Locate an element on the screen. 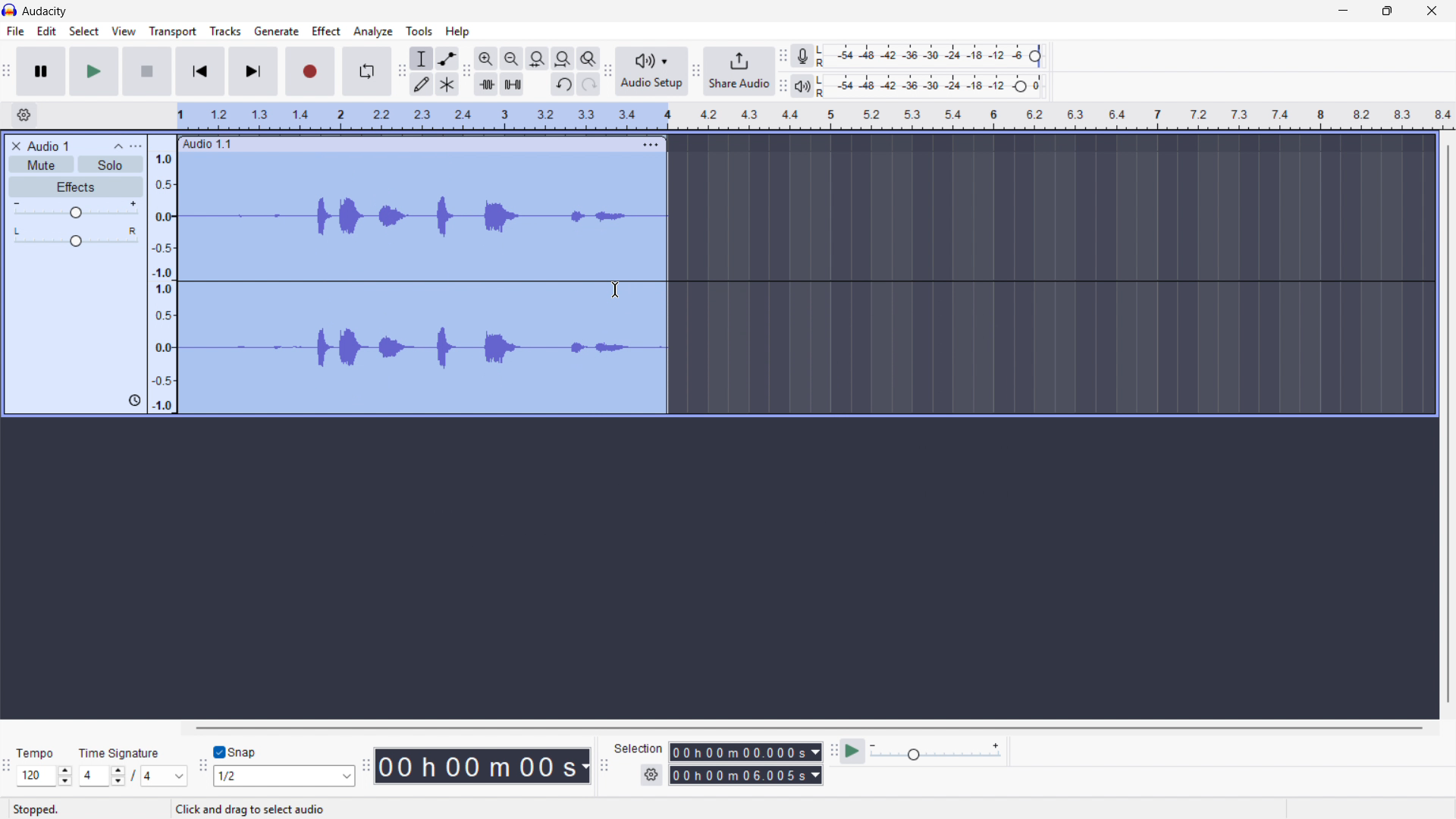 The height and width of the screenshot is (819, 1456). redo is located at coordinates (588, 85).